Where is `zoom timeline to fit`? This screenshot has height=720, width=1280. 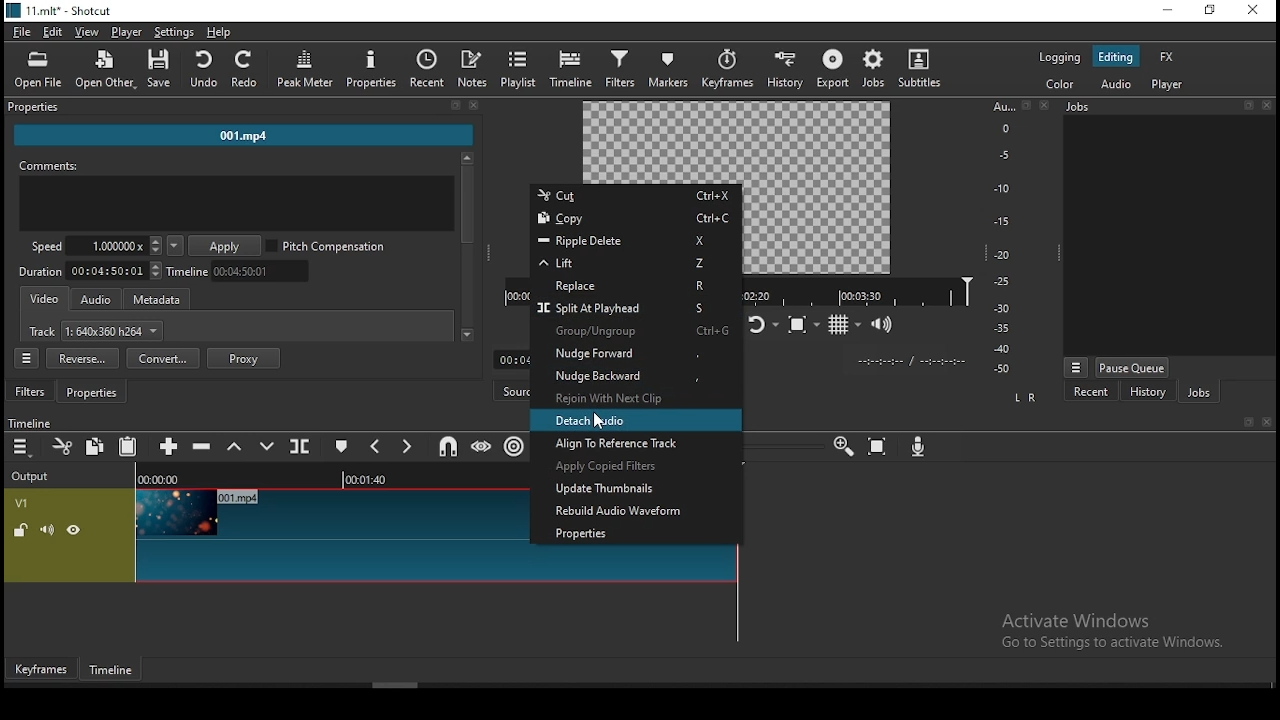
zoom timeline to fit is located at coordinates (879, 444).